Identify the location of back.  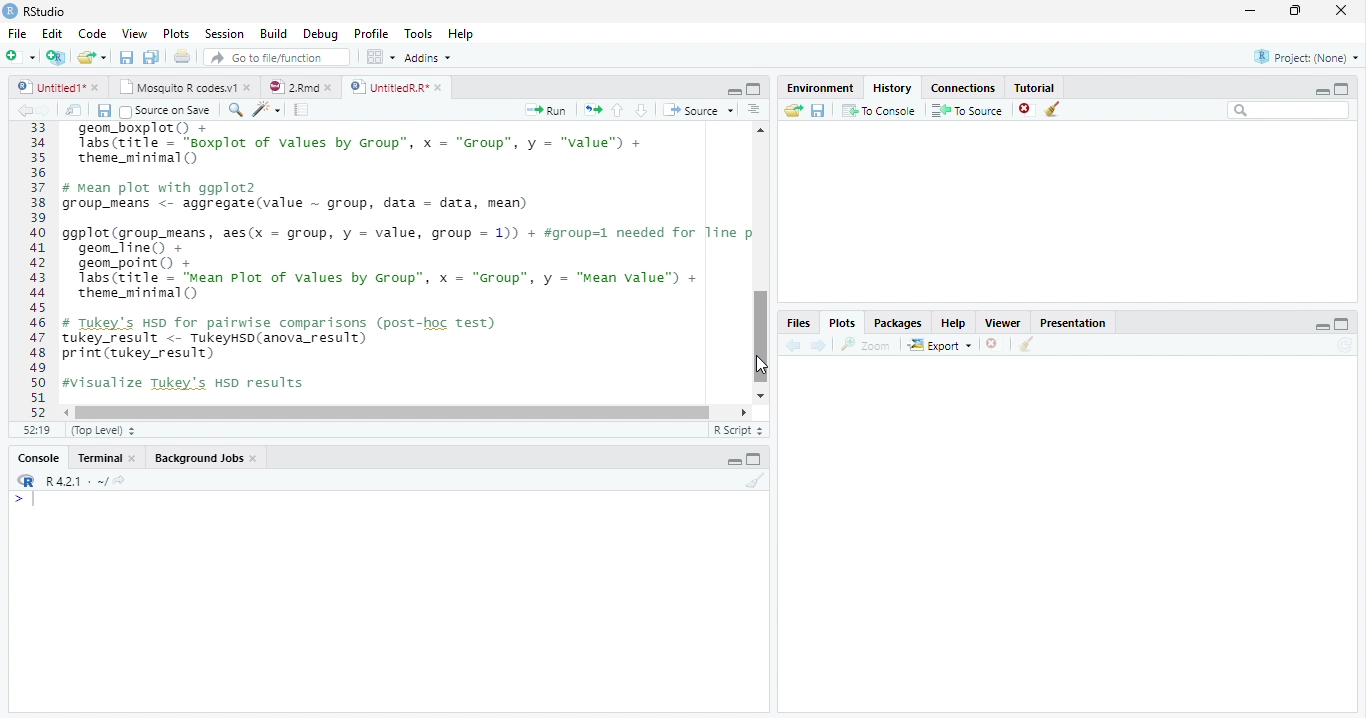
(791, 346).